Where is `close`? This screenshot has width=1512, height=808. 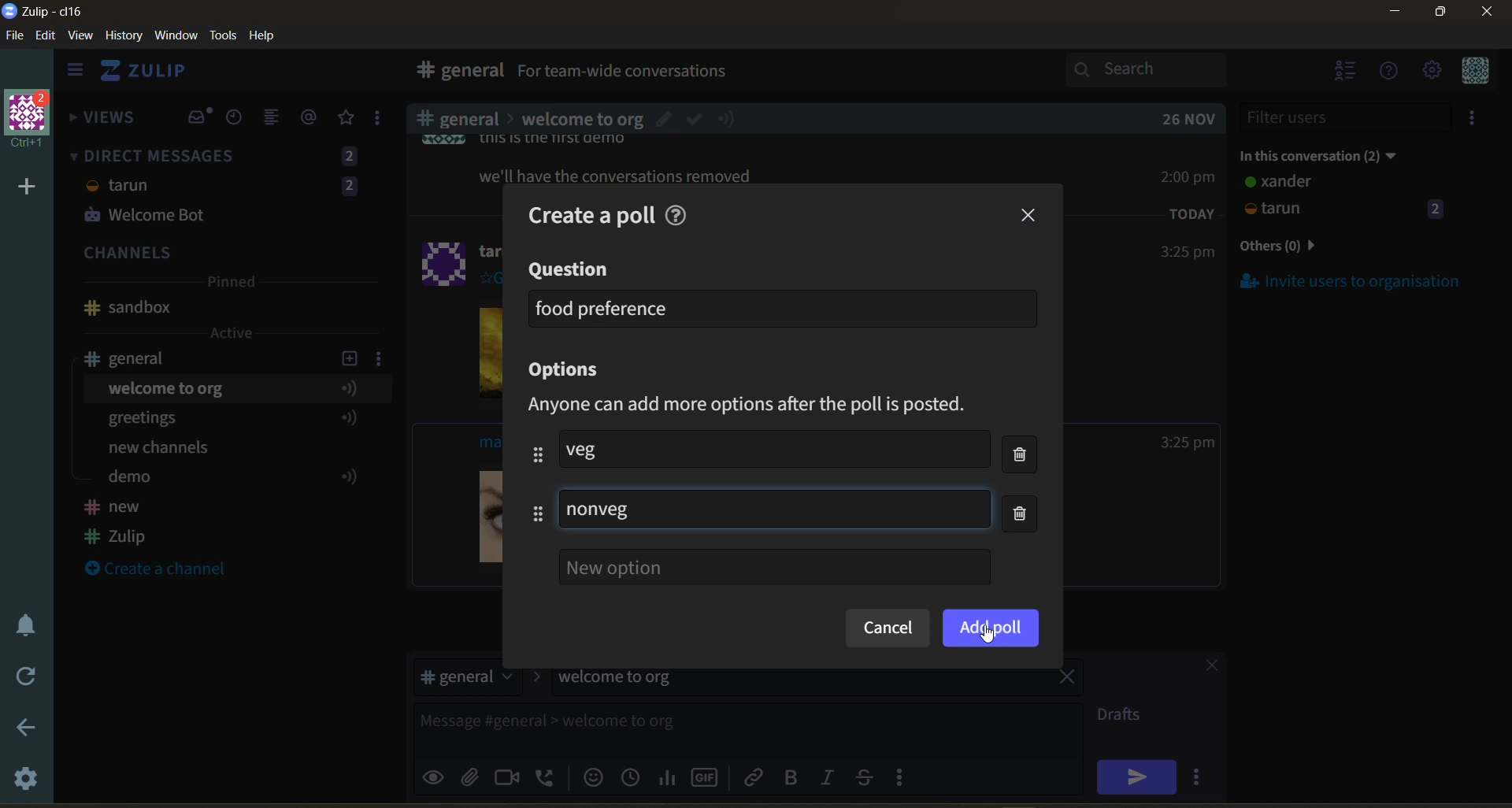 close is located at coordinates (1204, 668).